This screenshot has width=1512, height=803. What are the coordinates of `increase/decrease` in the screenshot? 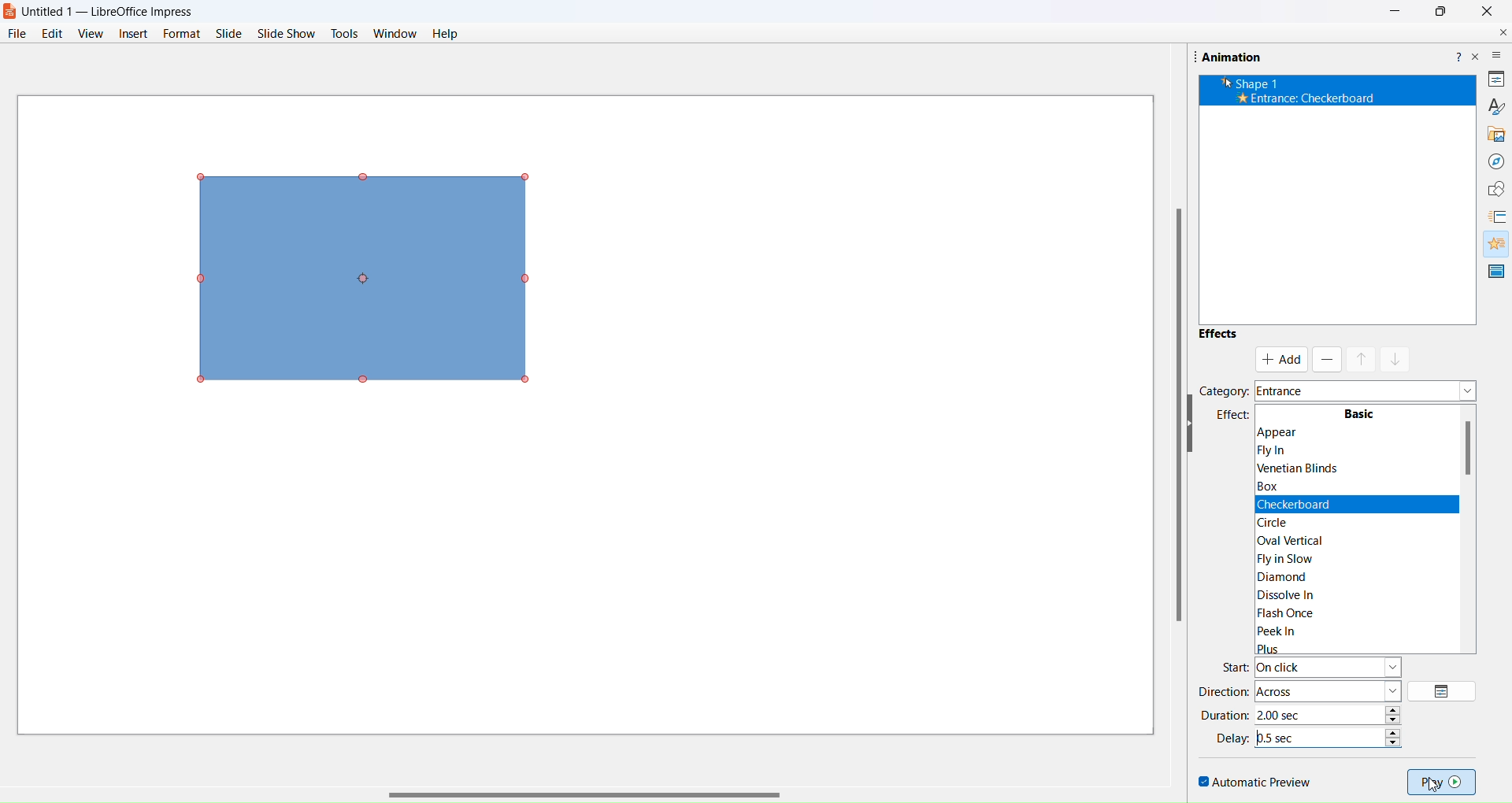 It's located at (1395, 735).